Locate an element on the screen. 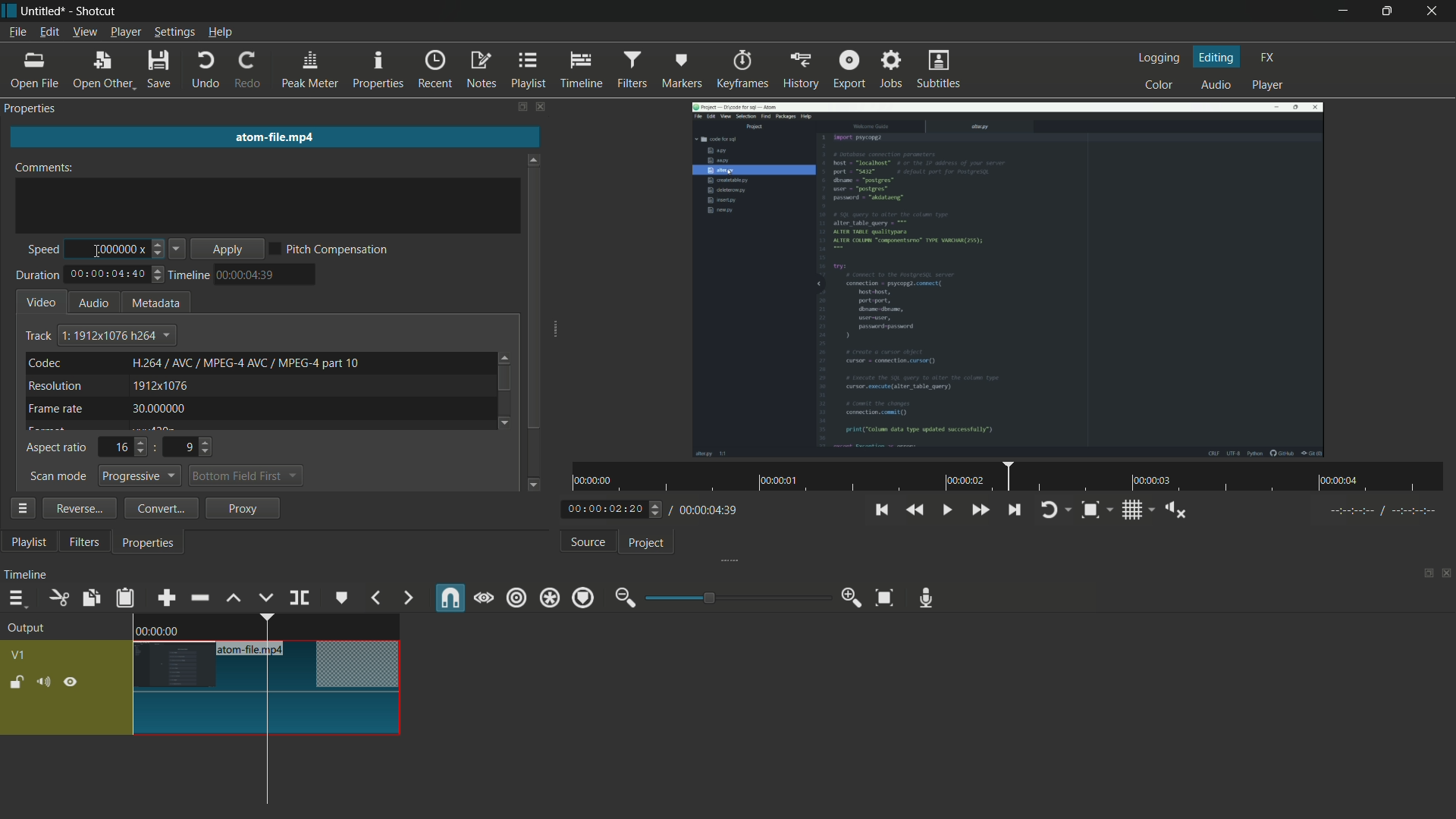 The height and width of the screenshot is (819, 1456). properties is located at coordinates (151, 542).